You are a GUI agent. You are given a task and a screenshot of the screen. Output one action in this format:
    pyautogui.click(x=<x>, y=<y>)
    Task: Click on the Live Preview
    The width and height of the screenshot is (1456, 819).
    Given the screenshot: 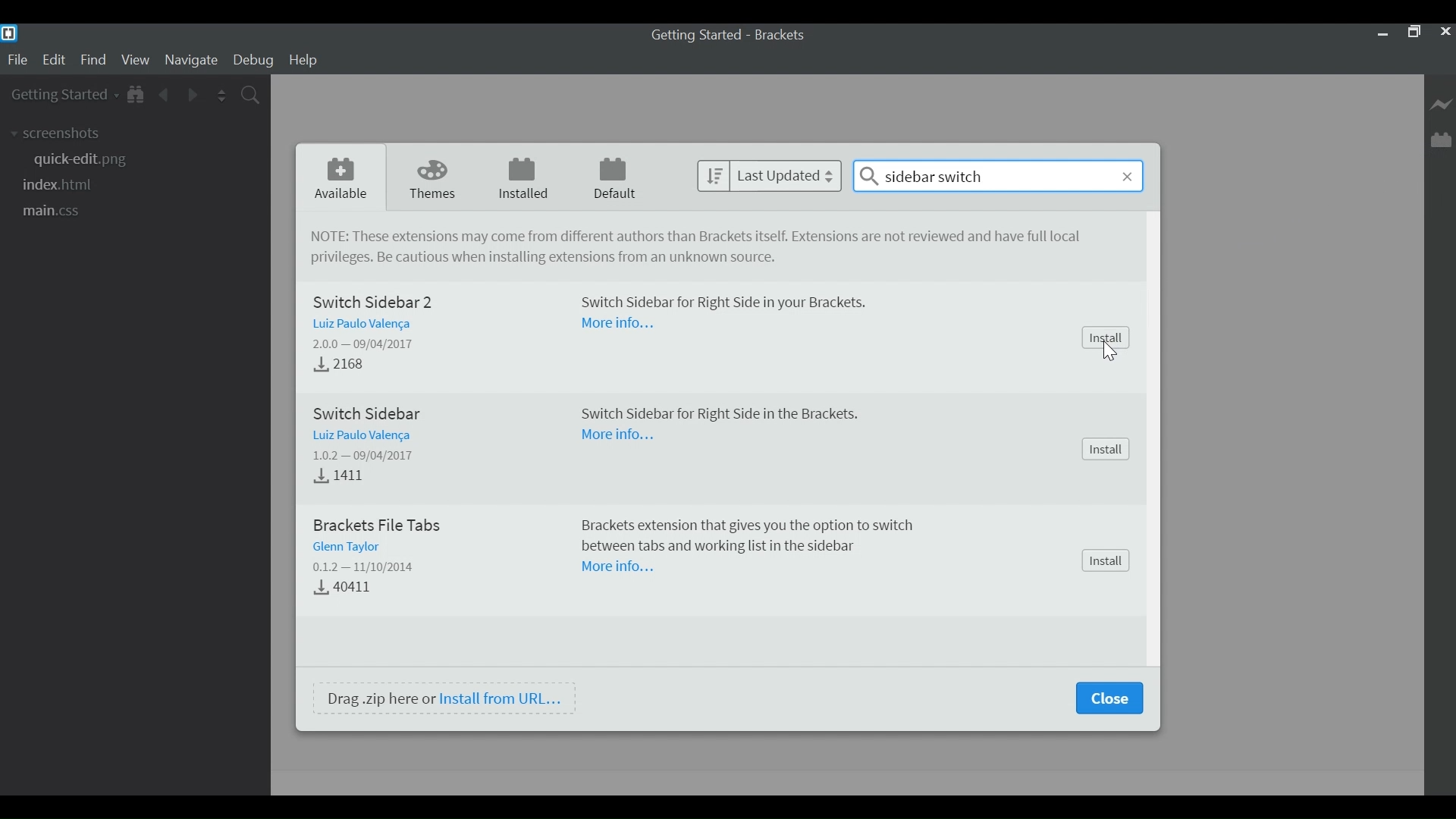 What is the action you would take?
    pyautogui.click(x=1441, y=106)
    